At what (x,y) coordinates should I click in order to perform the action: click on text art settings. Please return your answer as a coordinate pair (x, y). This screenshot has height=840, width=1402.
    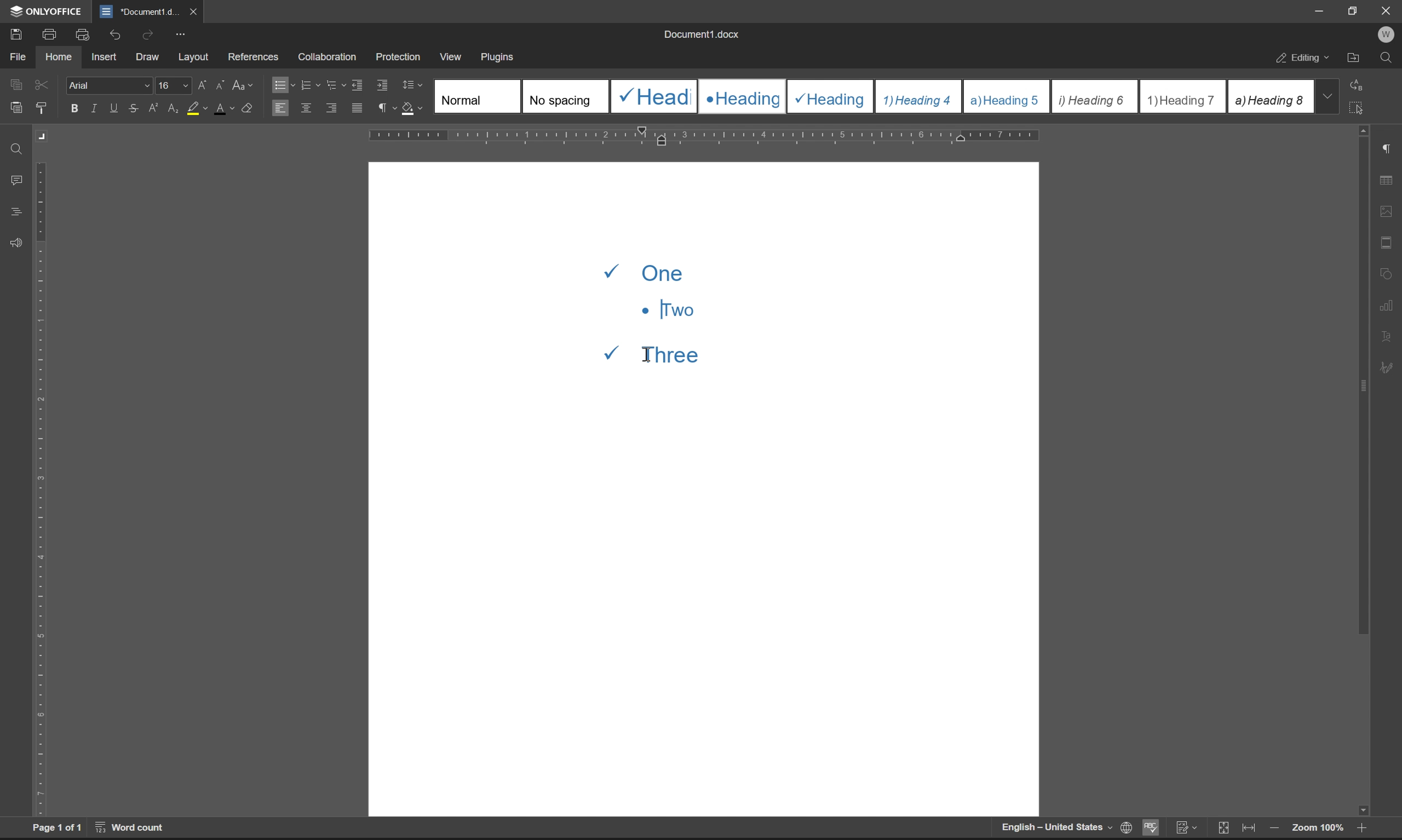
    Looking at the image, I should click on (1386, 336).